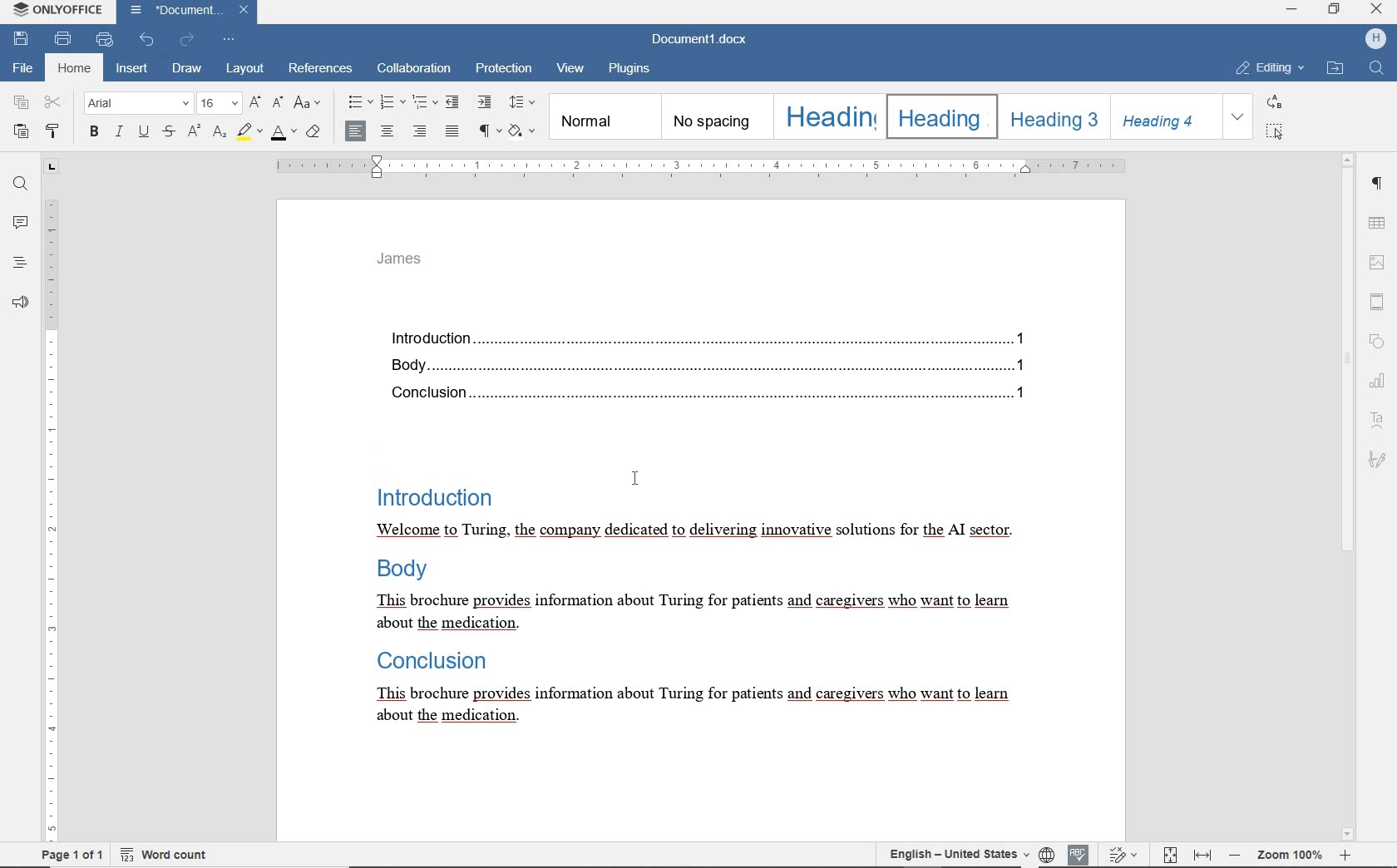 The image size is (1397, 868). Describe the element at coordinates (453, 132) in the screenshot. I see `justified` at that location.